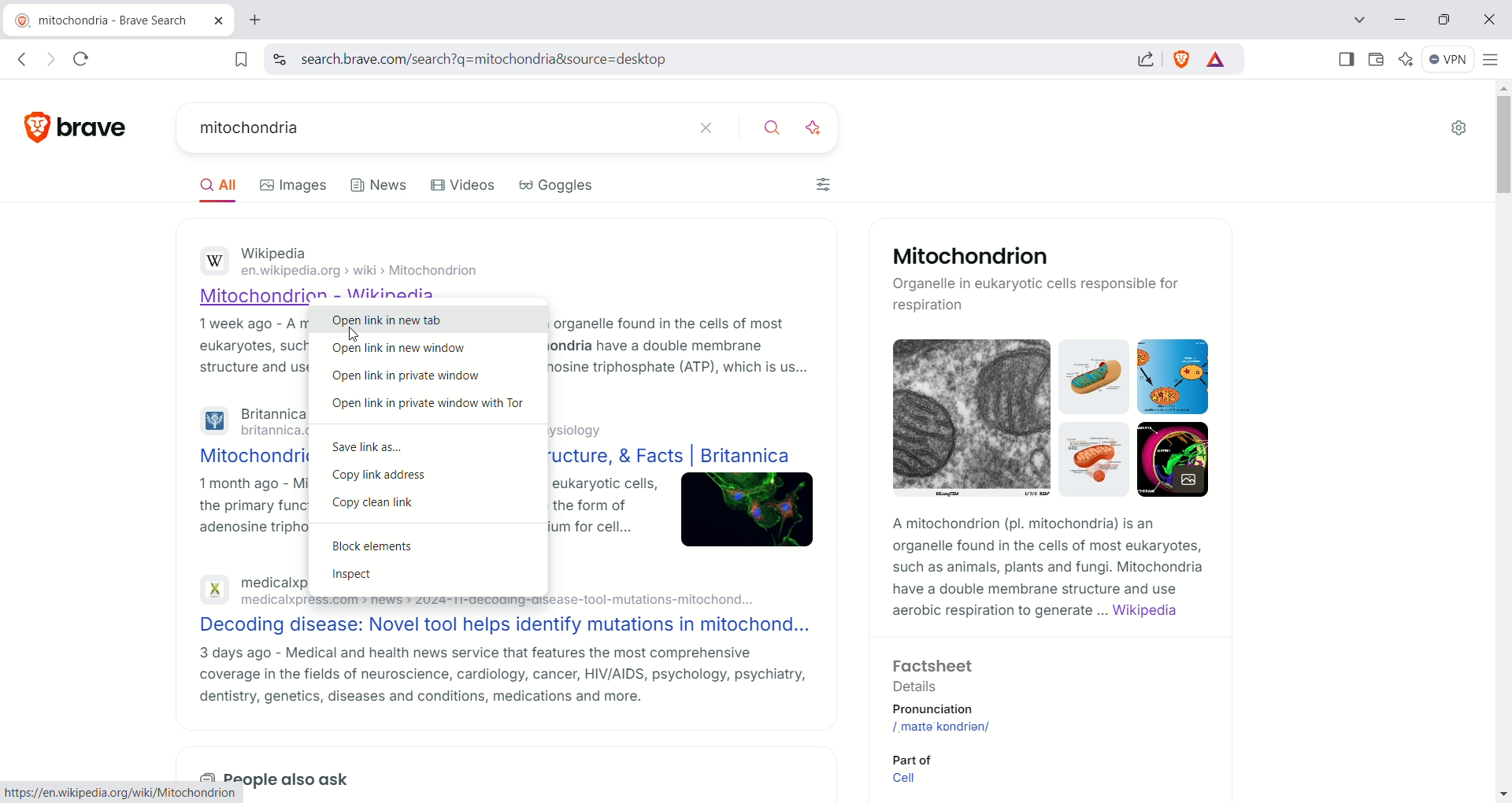 This screenshot has width=1512, height=803. I want to click on mitochondrion image, so click(1057, 414).